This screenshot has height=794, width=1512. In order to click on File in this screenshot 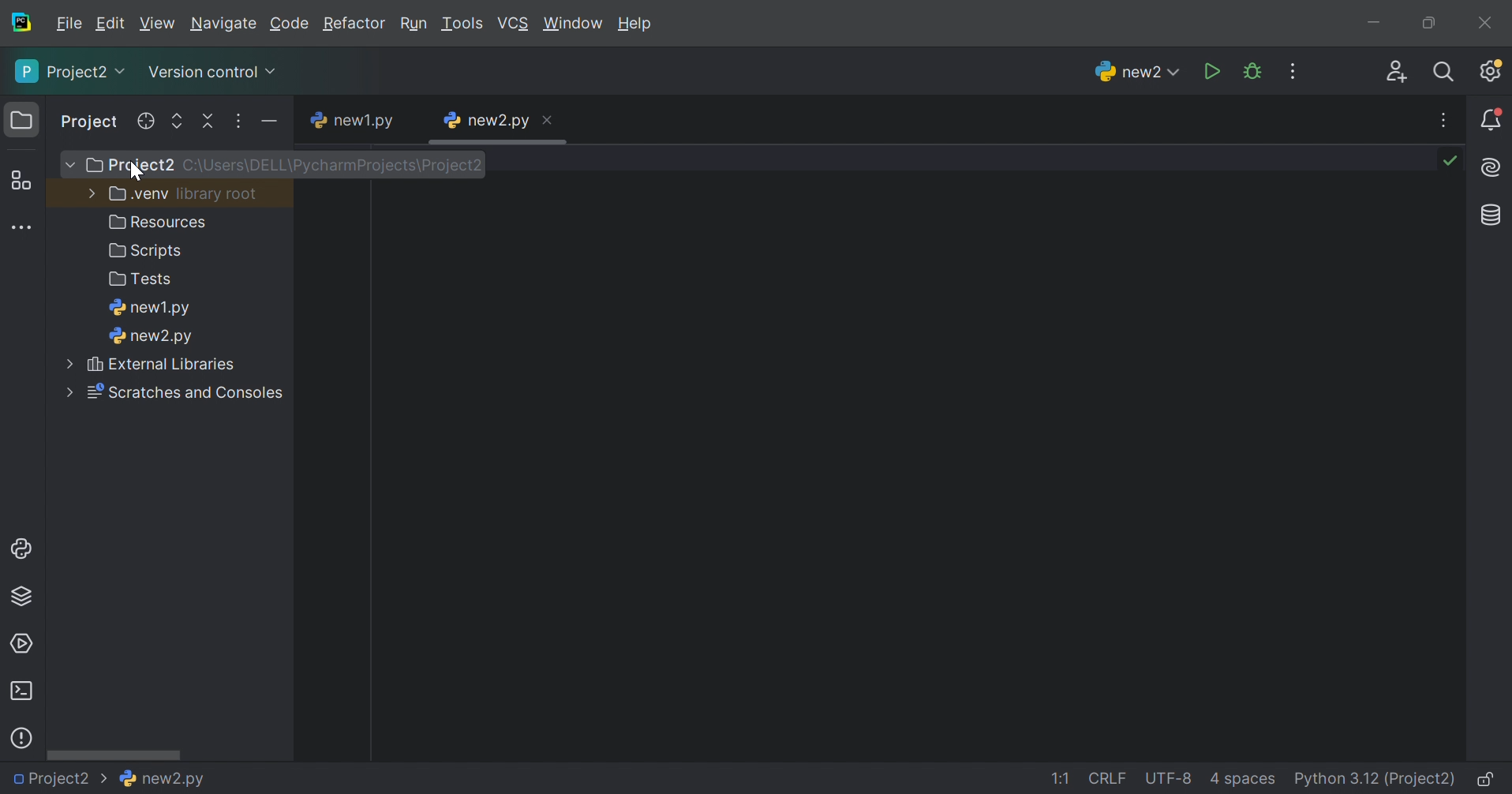, I will do `click(69, 24)`.